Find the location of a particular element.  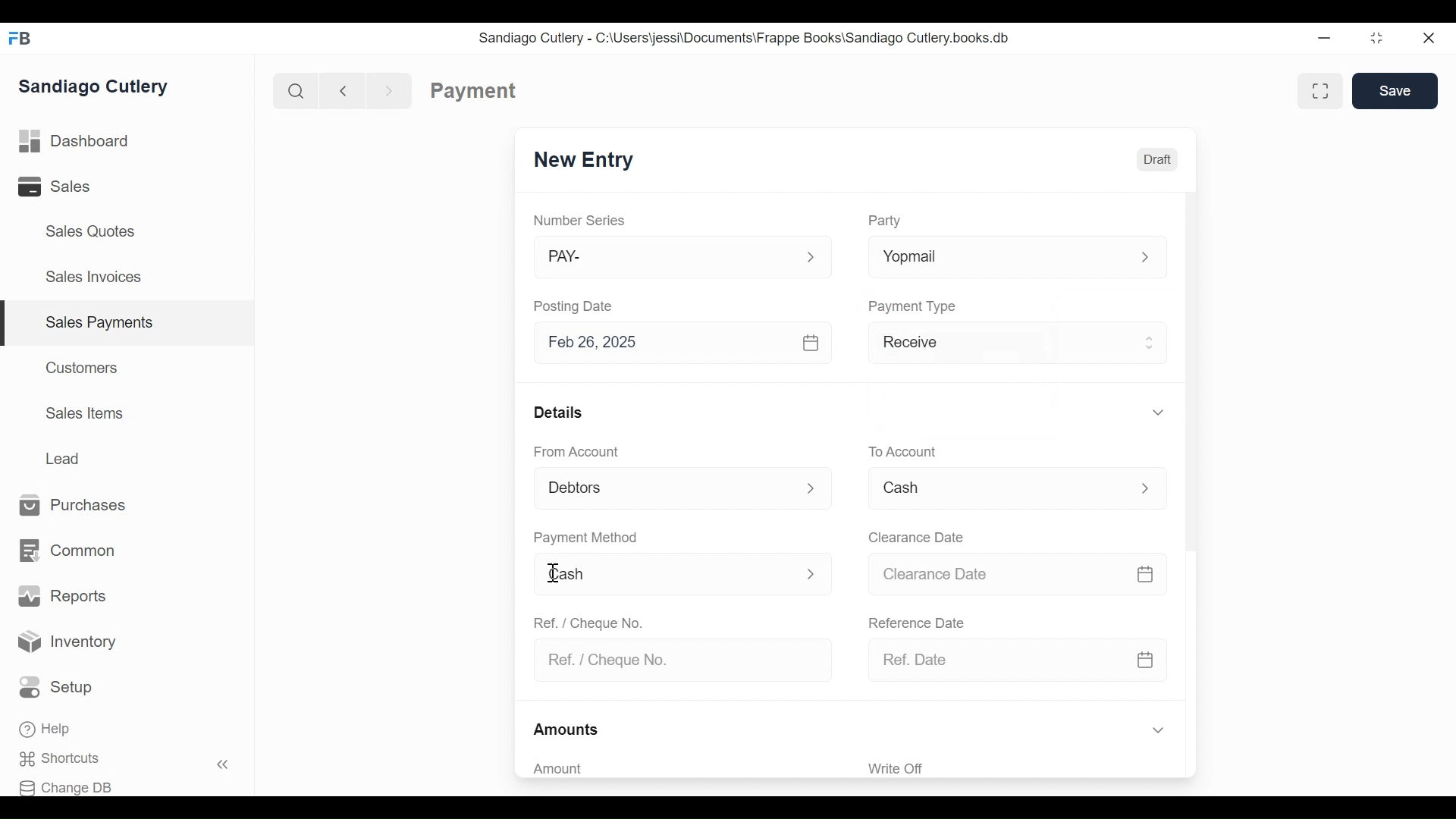

Feb 26, 2025  is located at coordinates (665, 343).